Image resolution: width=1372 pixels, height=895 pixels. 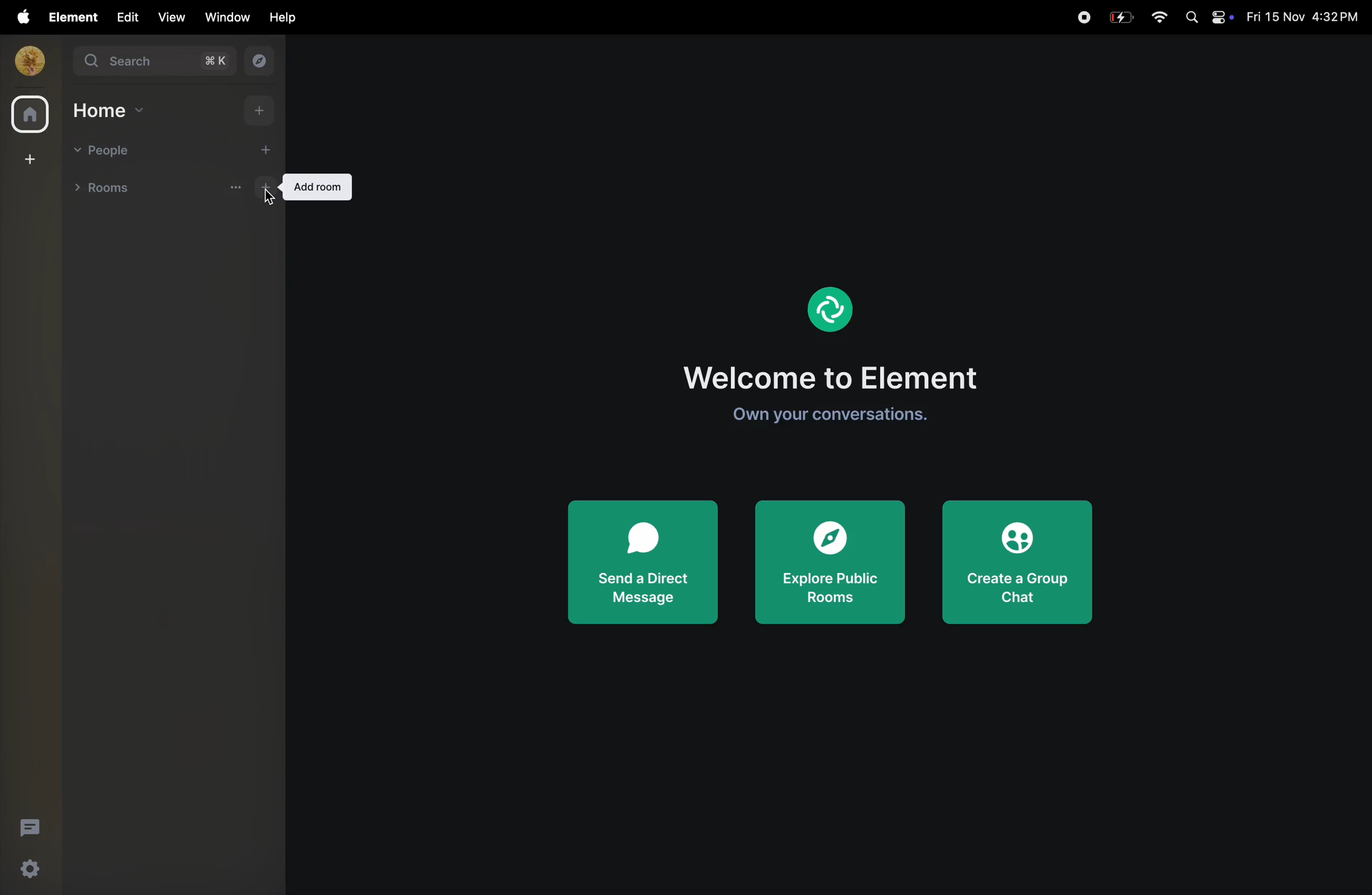 What do you see at coordinates (68, 17) in the screenshot?
I see `element` at bounding box center [68, 17].